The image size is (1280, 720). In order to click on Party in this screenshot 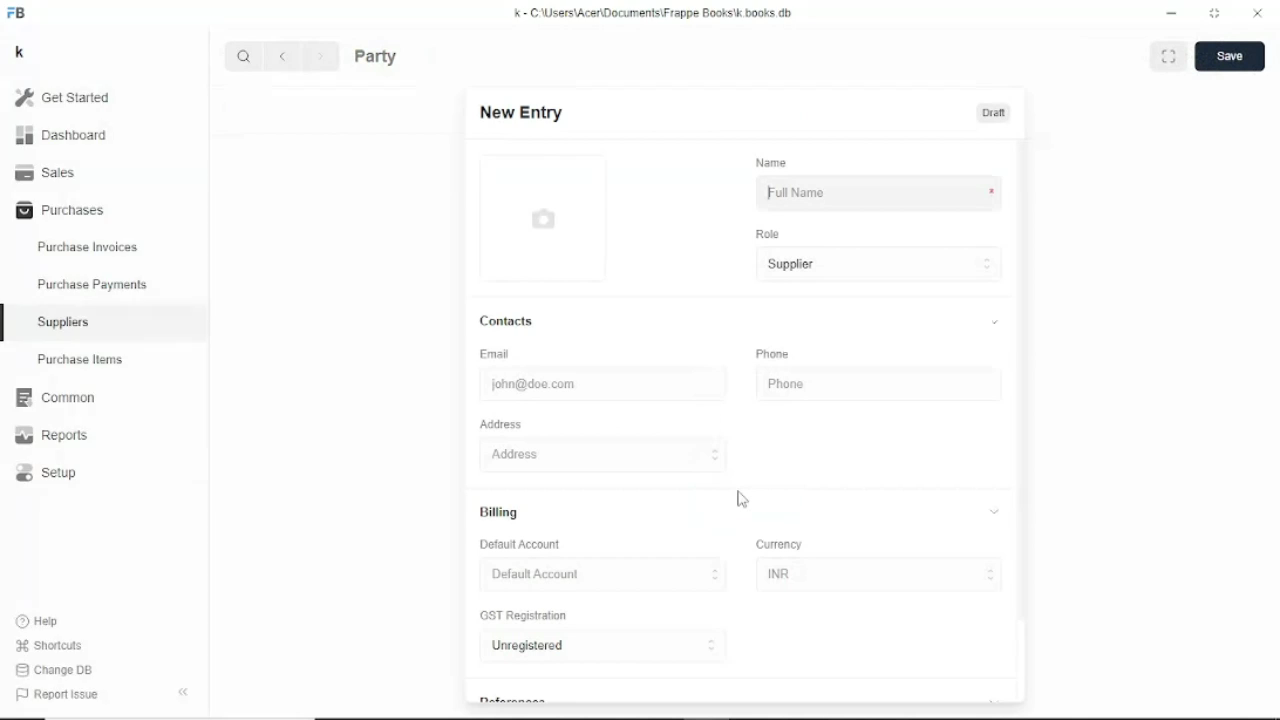, I will do `click(376, 56)`.